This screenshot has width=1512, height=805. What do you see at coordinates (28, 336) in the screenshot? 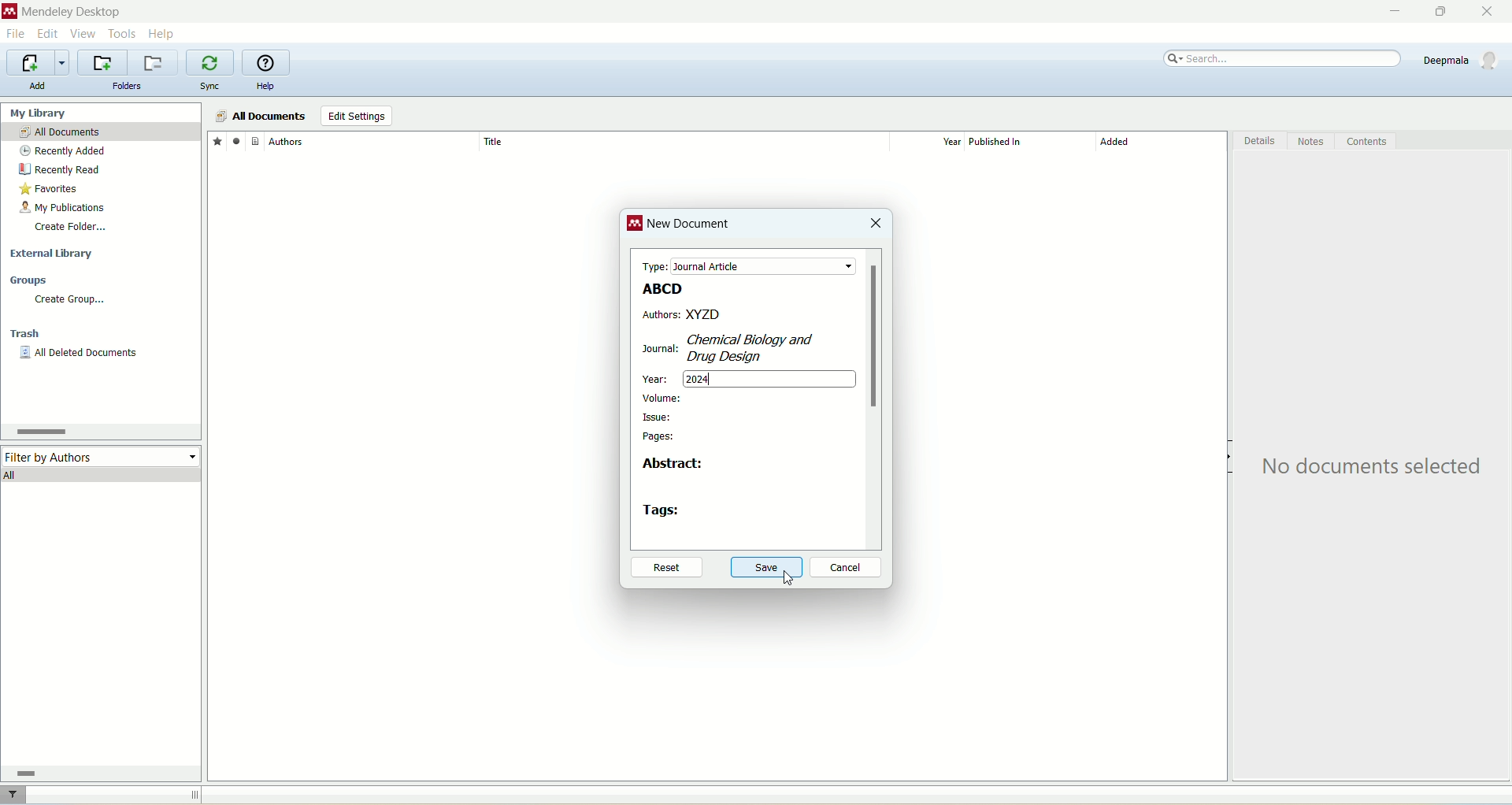
I see `trash` at bounding box center [28, 336].